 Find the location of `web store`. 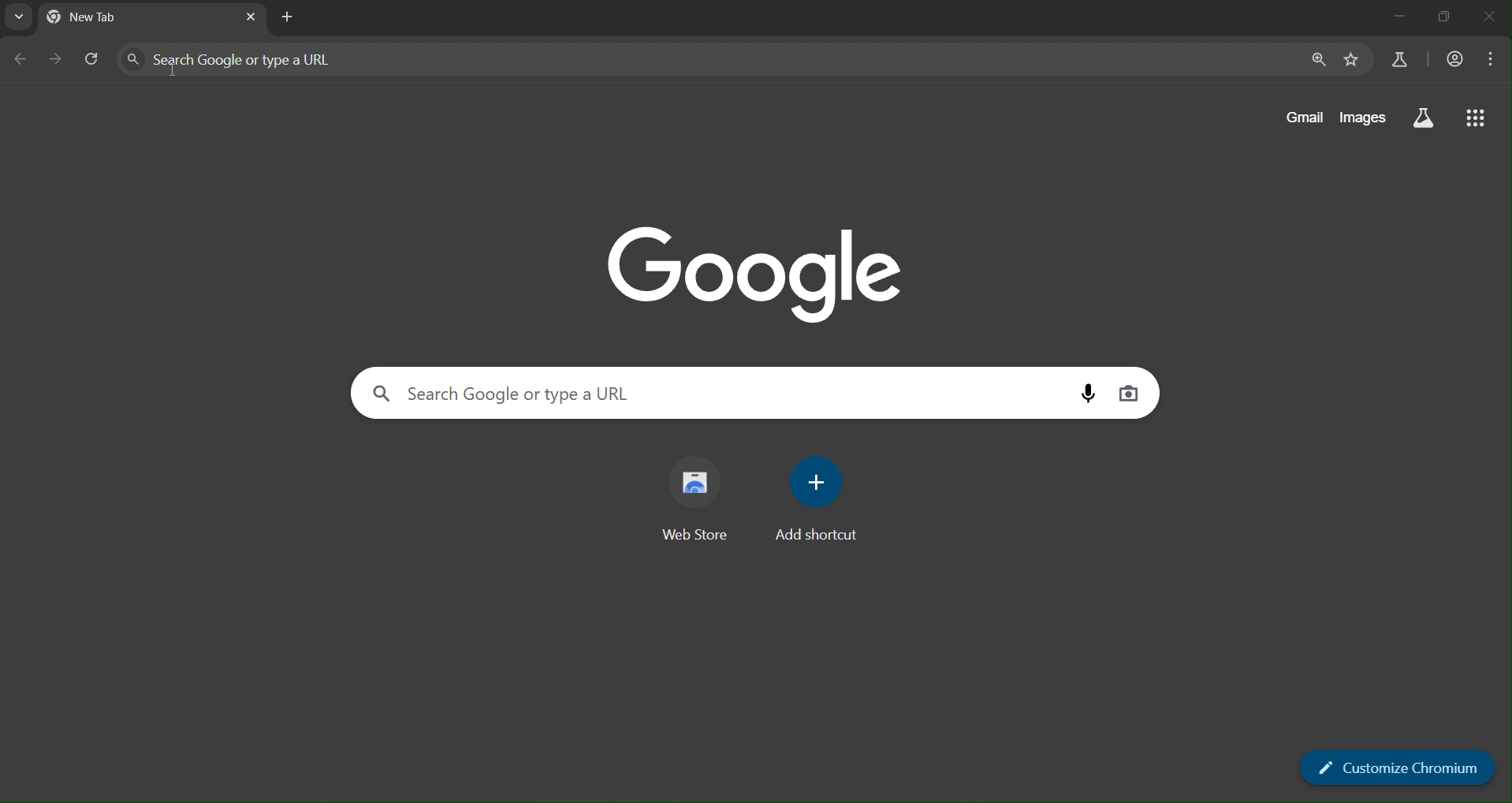

web store is located at coordinates (703, 501).